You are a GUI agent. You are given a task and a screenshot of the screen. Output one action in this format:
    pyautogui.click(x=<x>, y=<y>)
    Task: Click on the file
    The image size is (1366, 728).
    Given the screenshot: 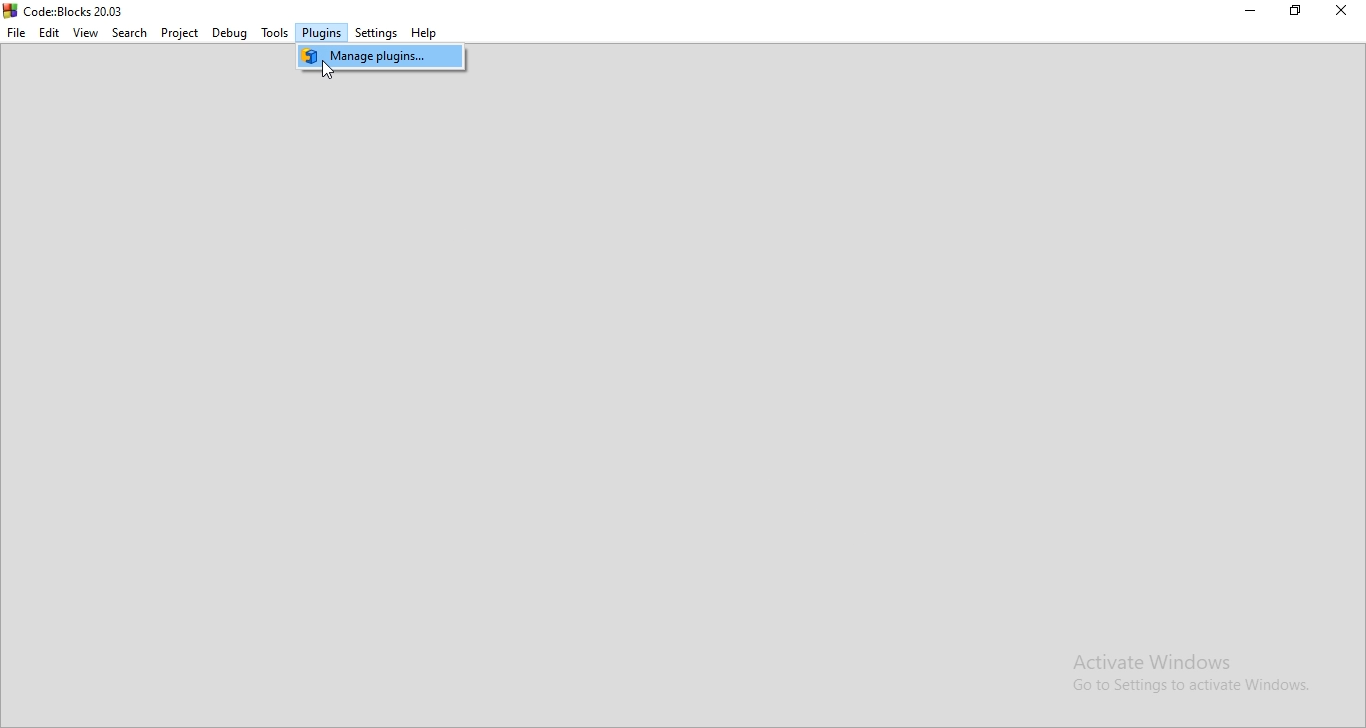 What is the action you would take?
    pyautogui.click(x=17, y=34)
    